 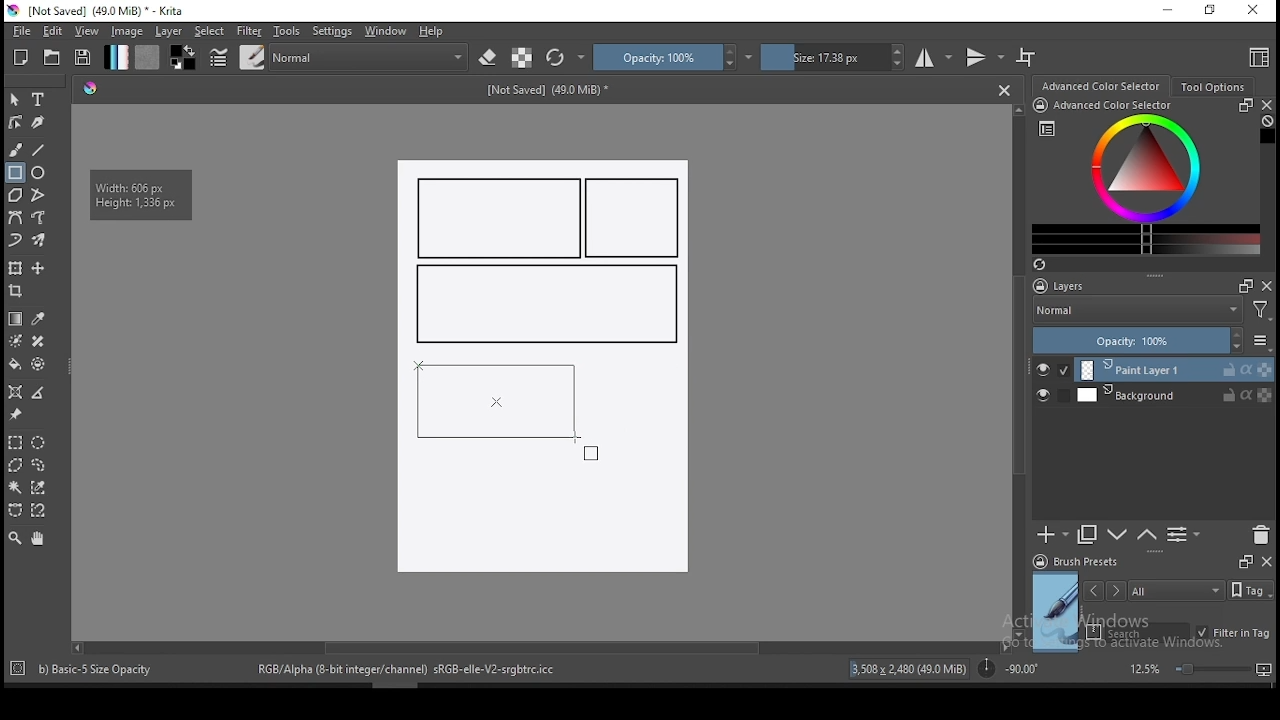 What do you see at coordinates (370, 57) in the screenshot?
I see `blending mode` at bounding box center [370, 57].